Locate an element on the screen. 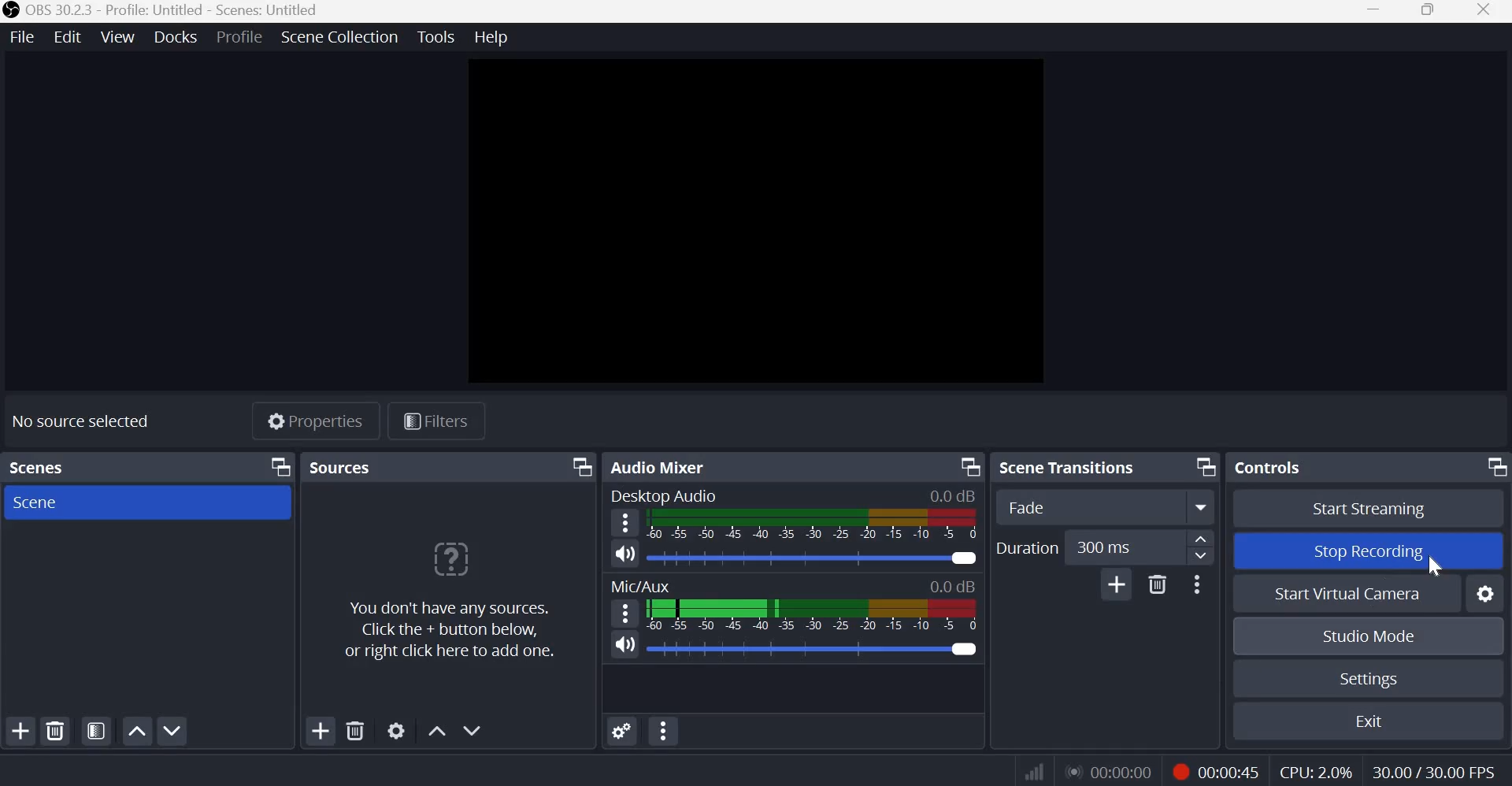  Properties is located at coordinates (316, 420).